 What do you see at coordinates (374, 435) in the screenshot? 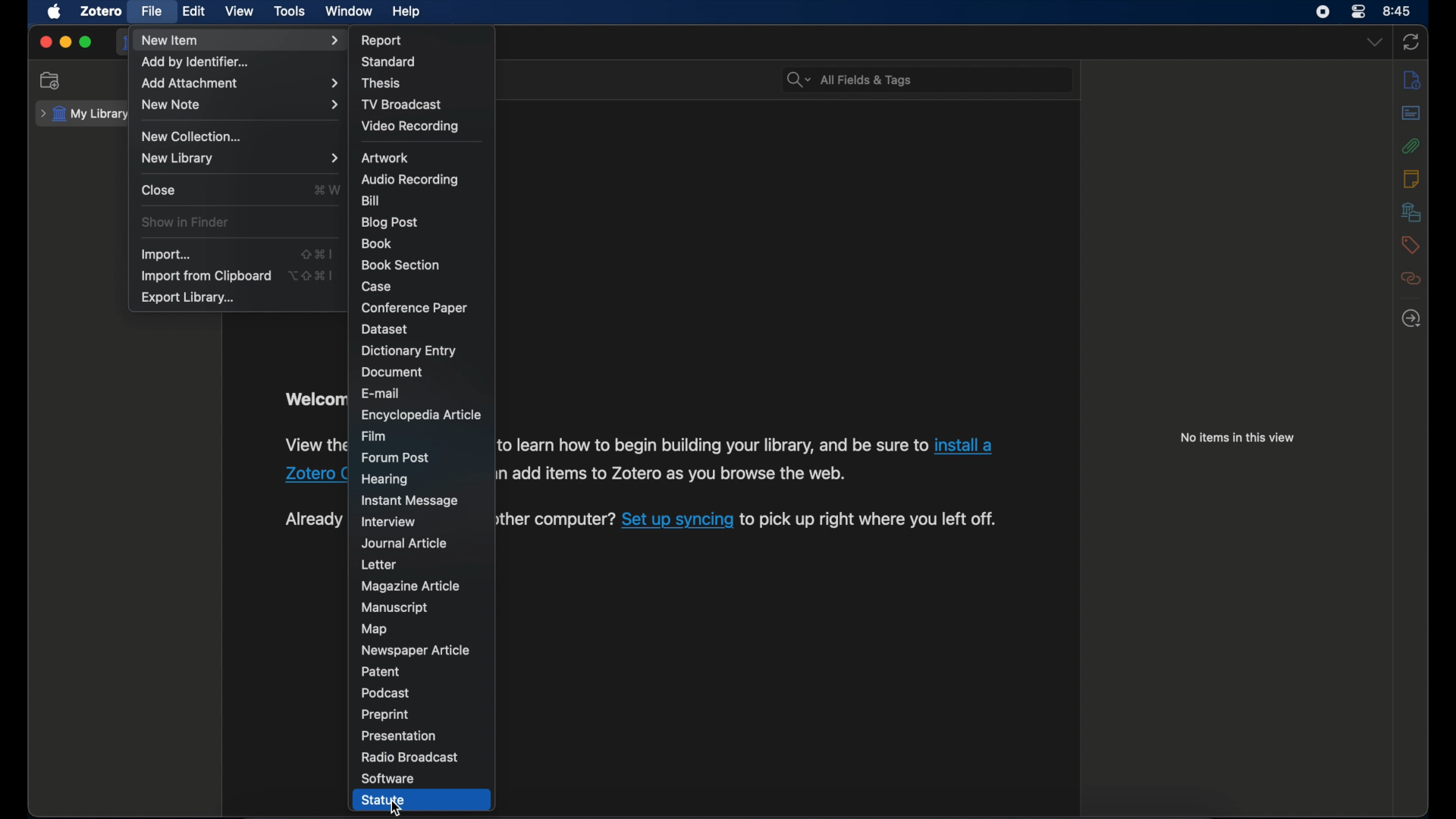
I see `film` at bounding box center [374, 435].